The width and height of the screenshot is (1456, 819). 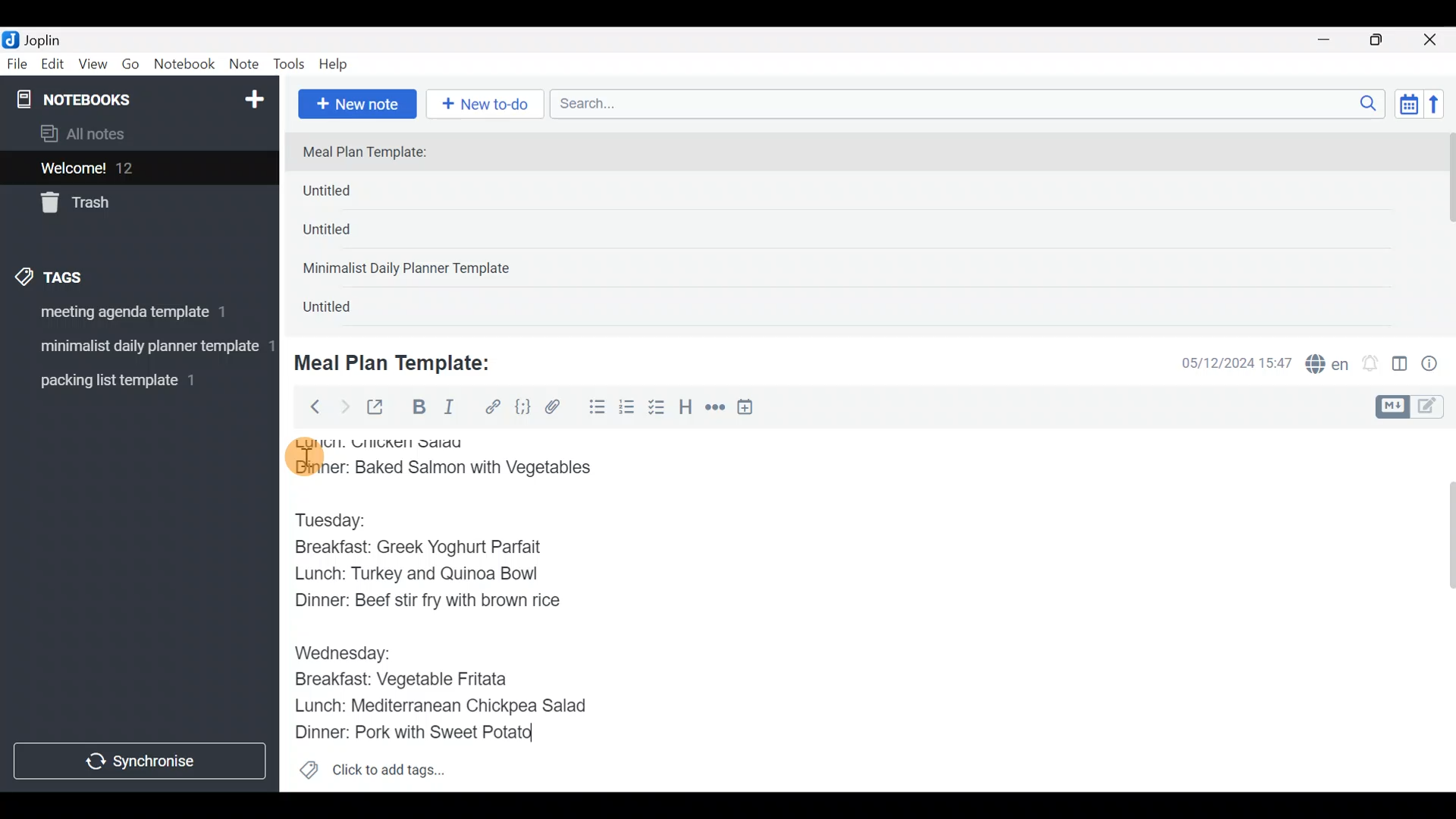 I want to click on Tools, so click(x=290, y=65).